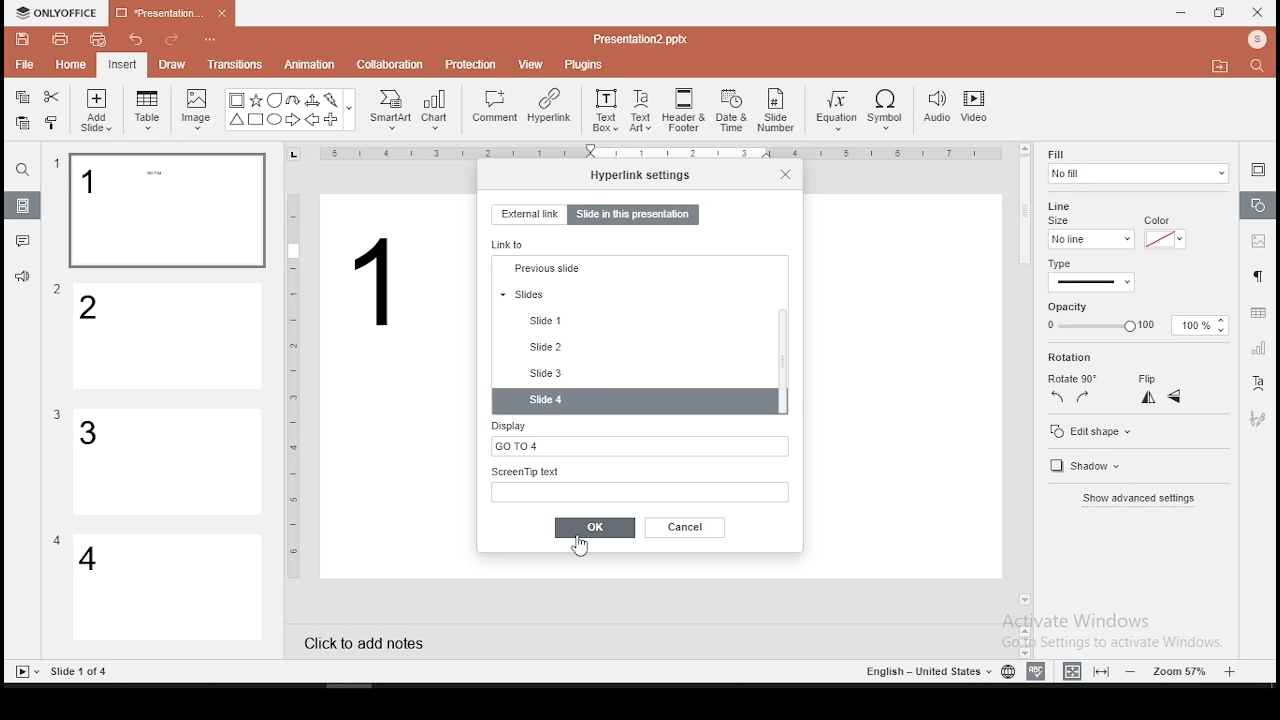 Image resolution: width=1280 pixels, height=720 pixels. Describe the element at coordinates (58, 290) in the screenshot. I see `` at that location.